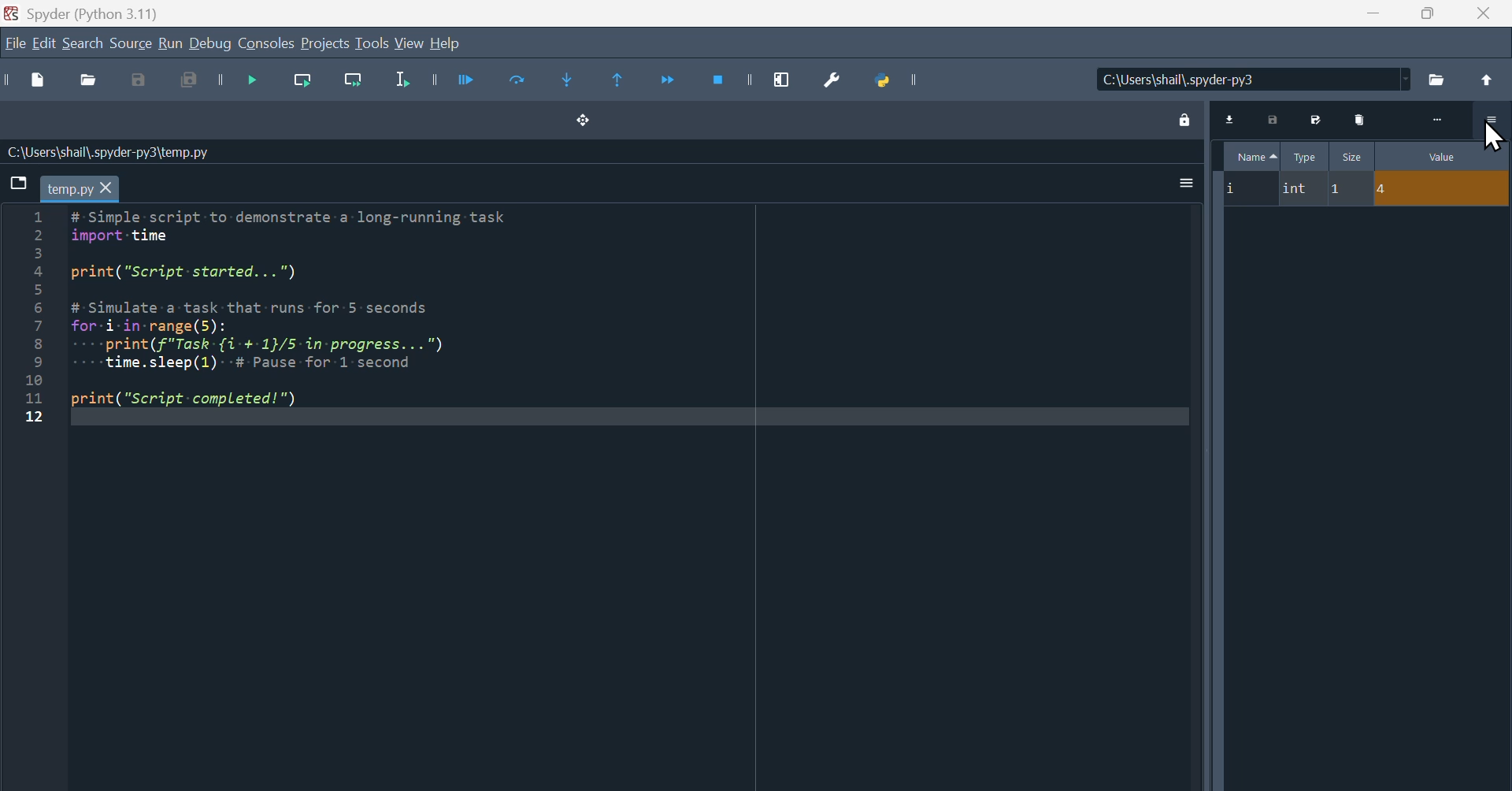  I want to click on Open file, so click(89, 80).